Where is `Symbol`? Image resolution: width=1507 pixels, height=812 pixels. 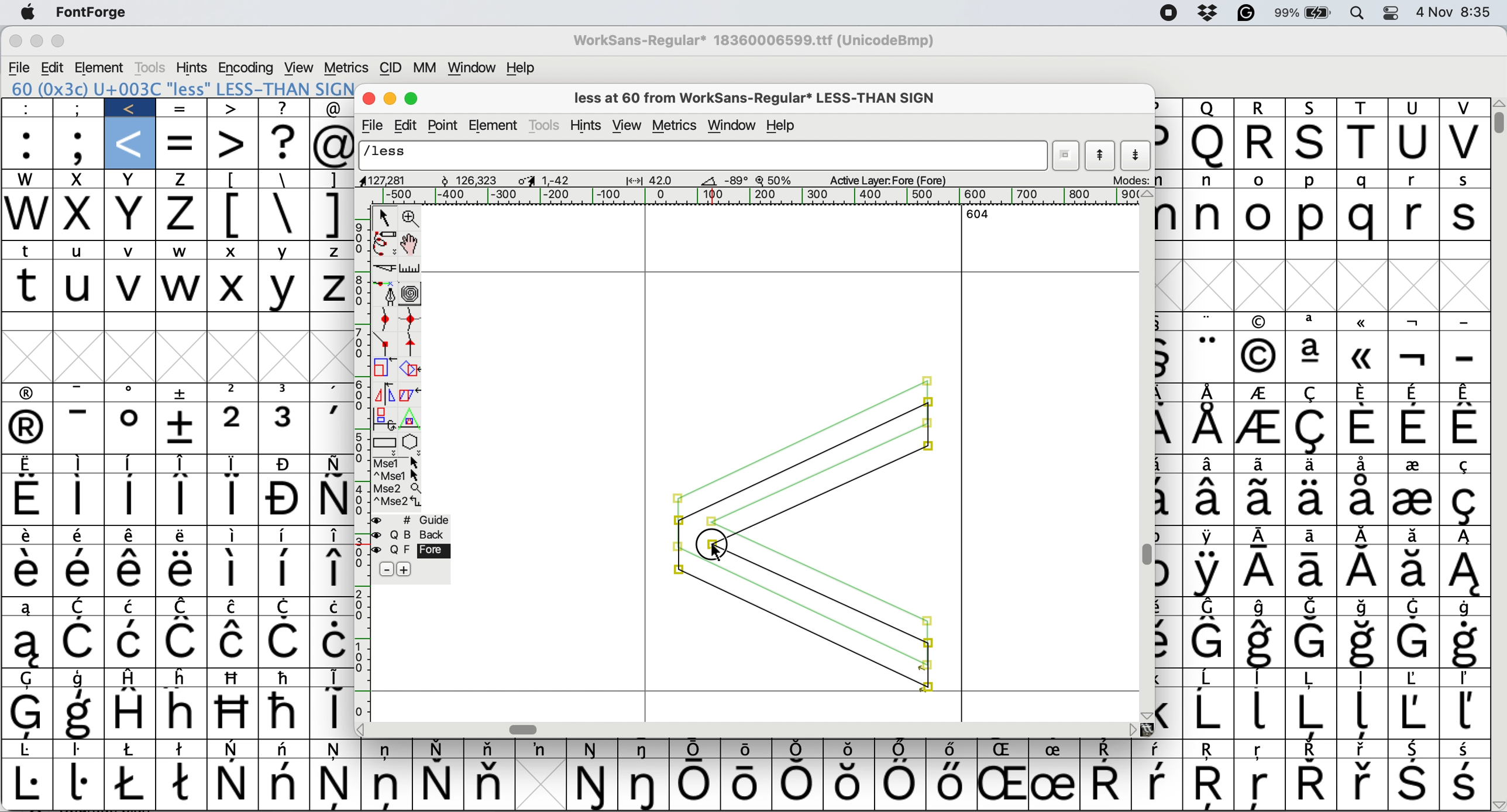
Symbol is located at coordinates (78, 571).